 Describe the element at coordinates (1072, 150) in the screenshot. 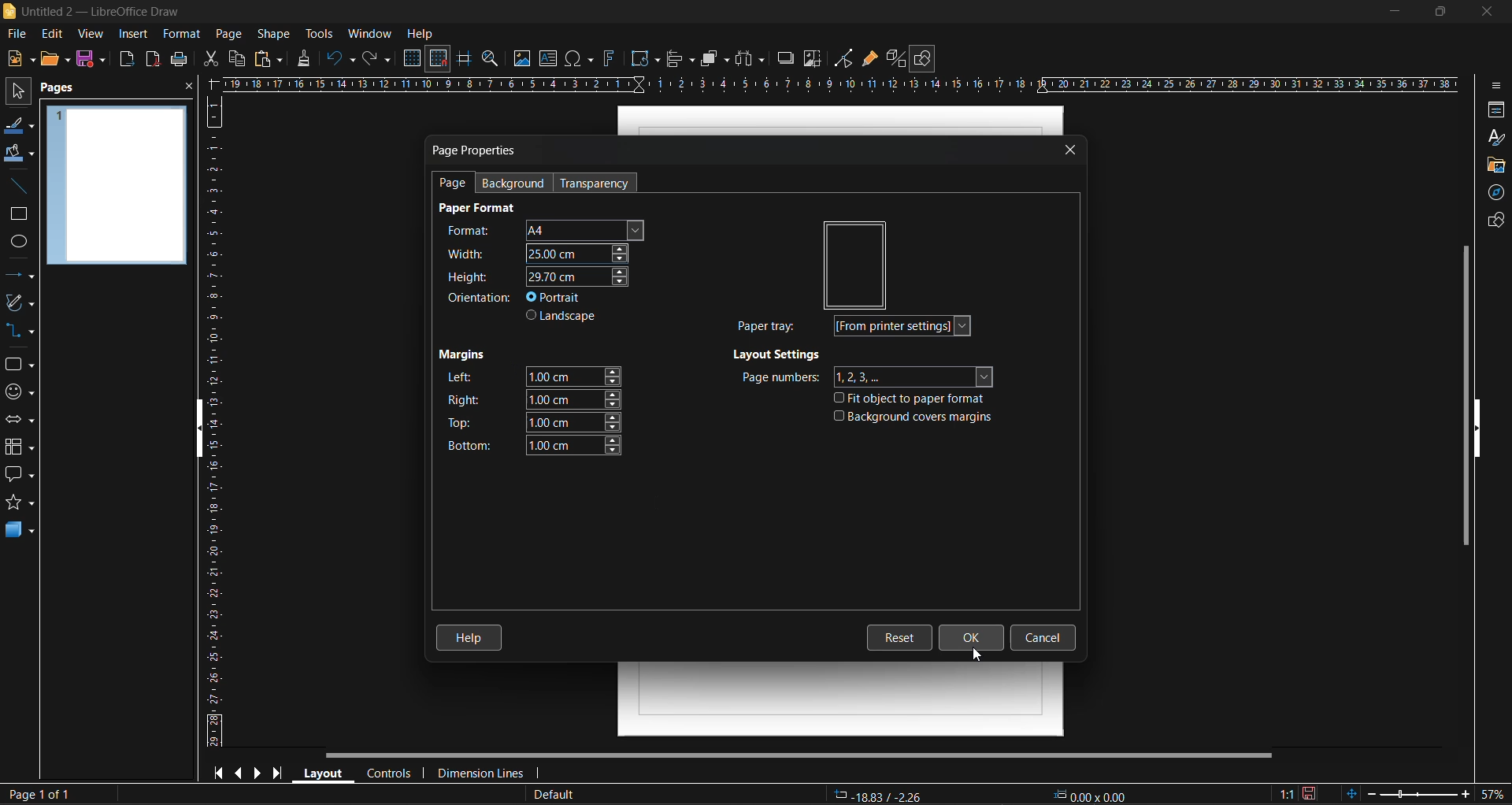

I see `close` at that location.